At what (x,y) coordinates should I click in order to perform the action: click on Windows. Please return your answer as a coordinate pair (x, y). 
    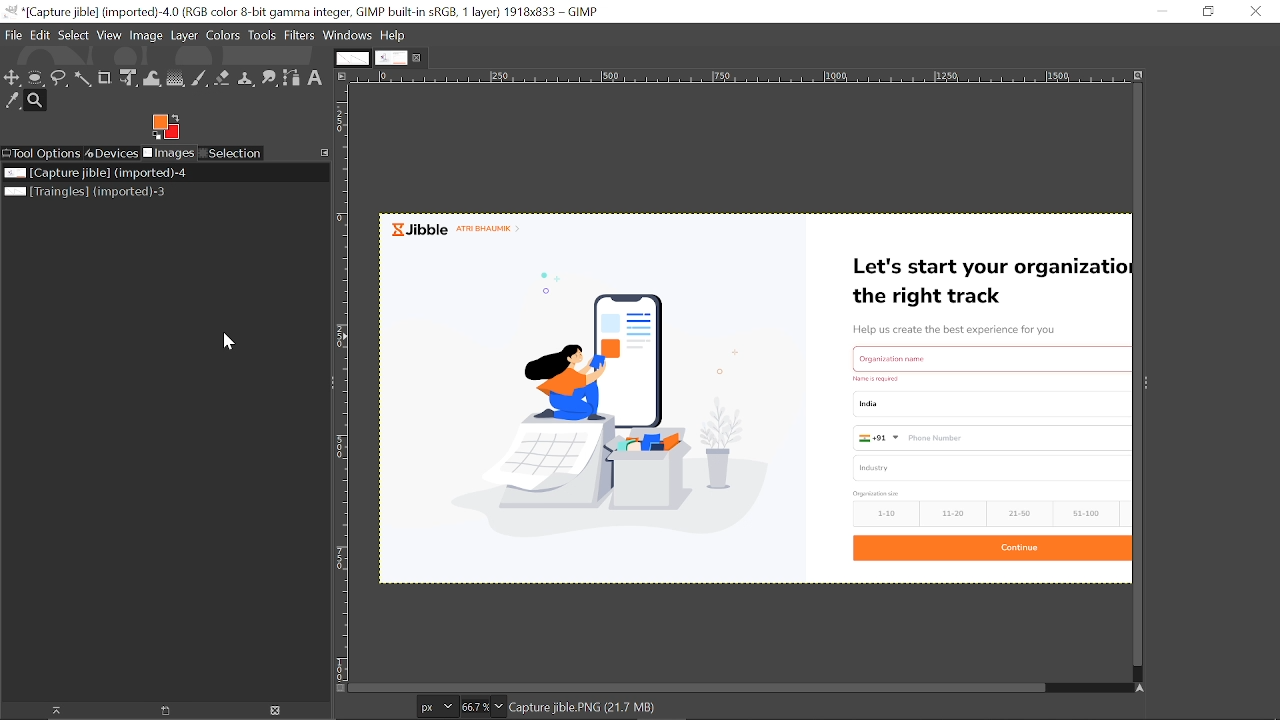
    Looking at the image, I should click on (346, 36).